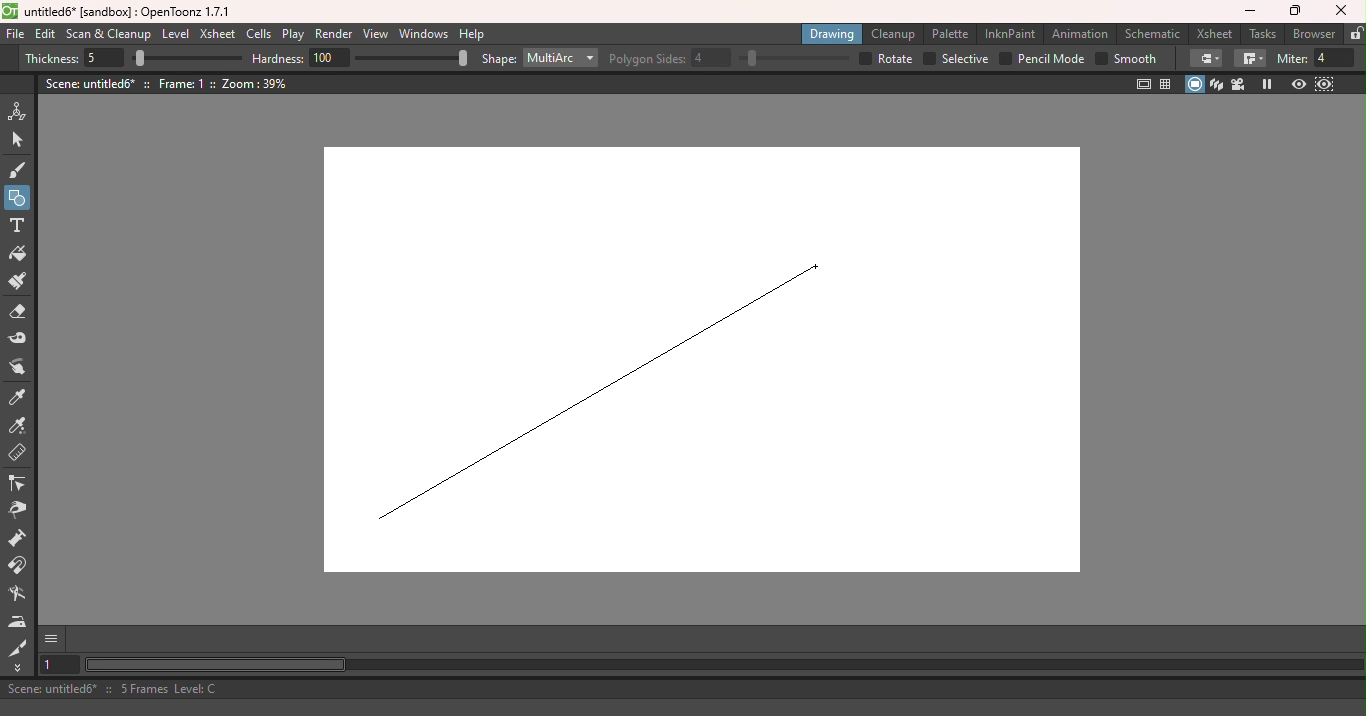 Image resolution: width=1366 pixels, height=716 pixels. I want to click on Cursor, so click(819, 264).